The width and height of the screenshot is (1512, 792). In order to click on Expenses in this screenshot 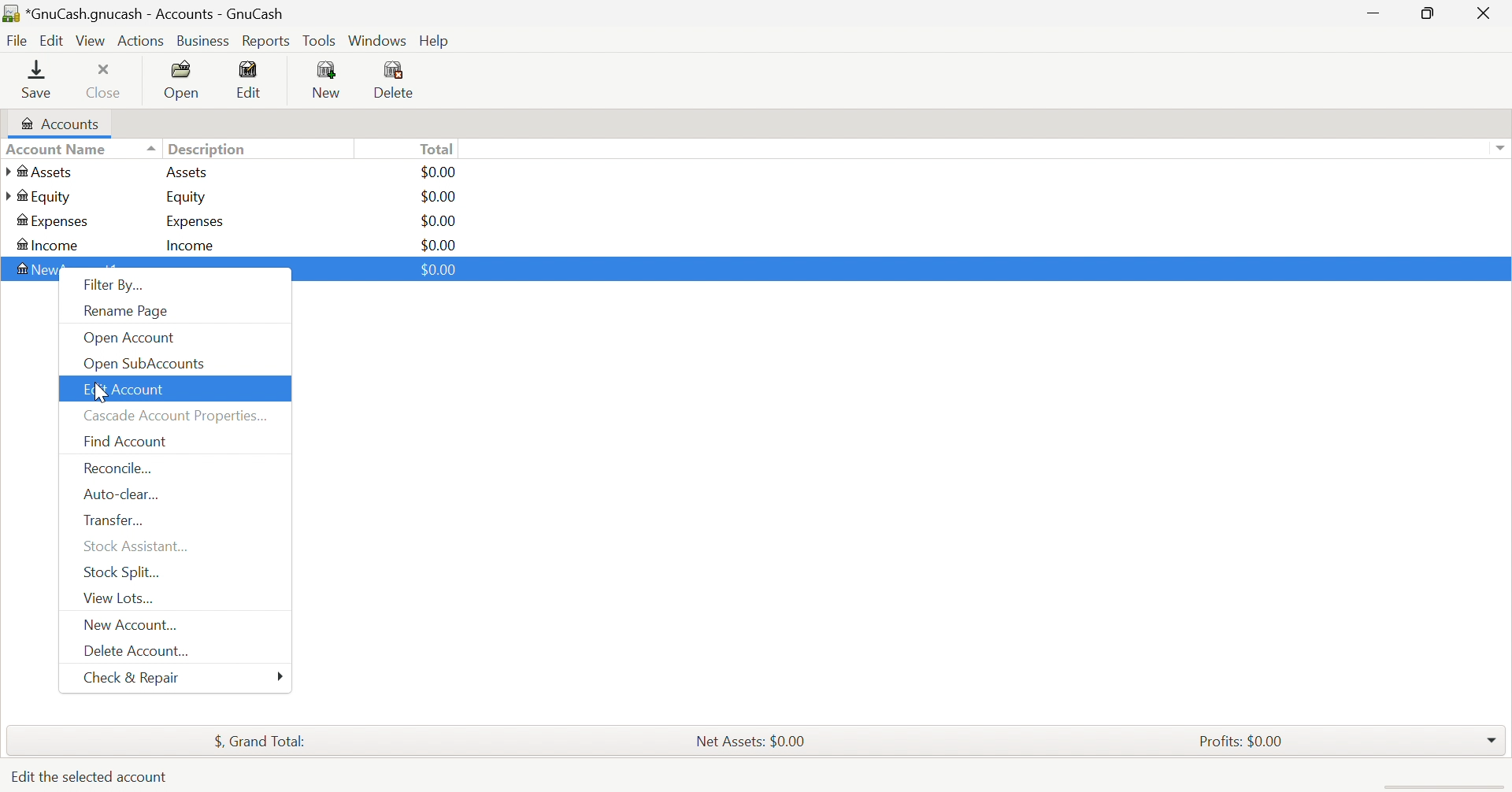, I will do `click(54, 221)`.